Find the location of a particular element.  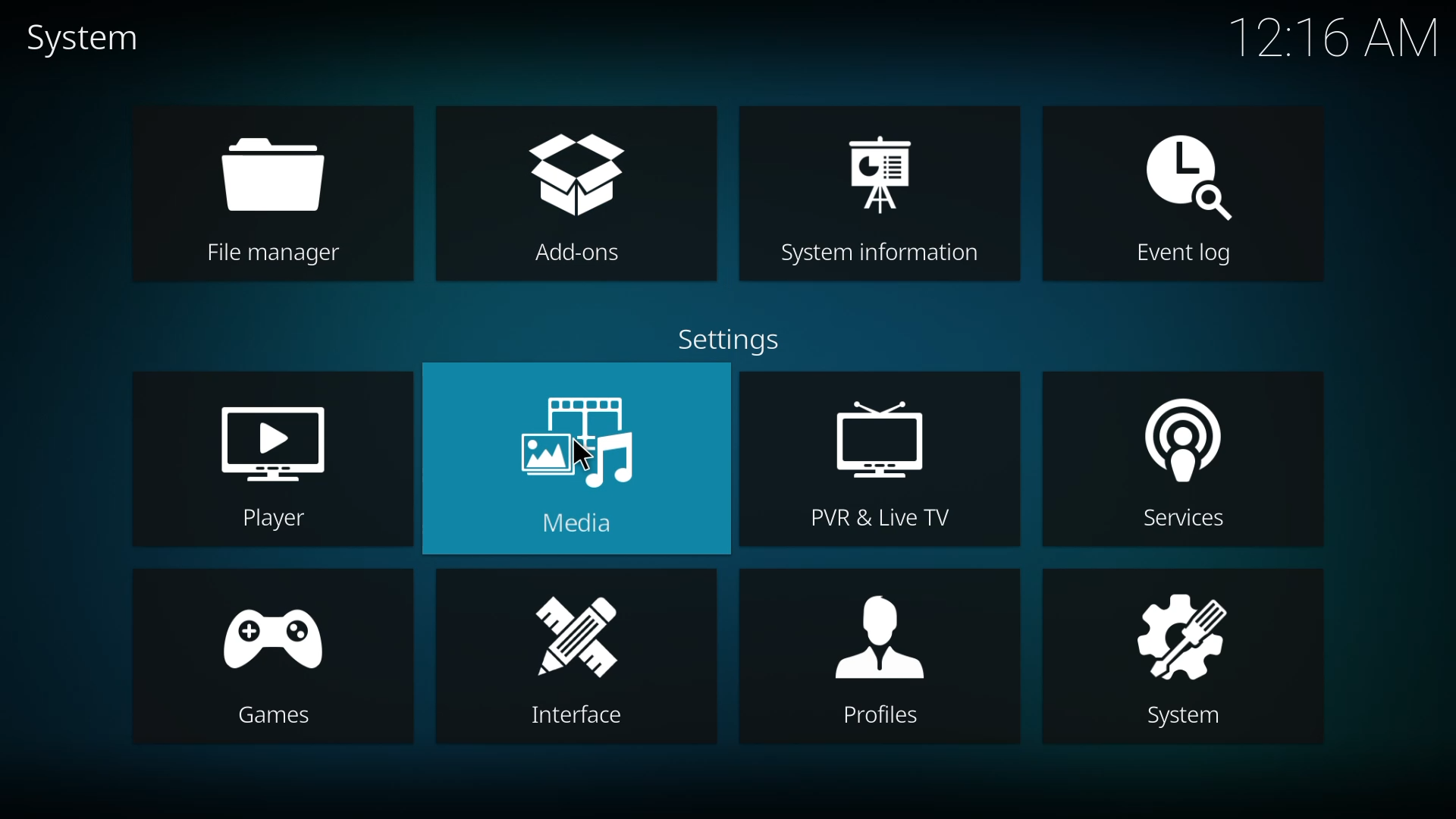

System is located at coordinates (1185, 720).